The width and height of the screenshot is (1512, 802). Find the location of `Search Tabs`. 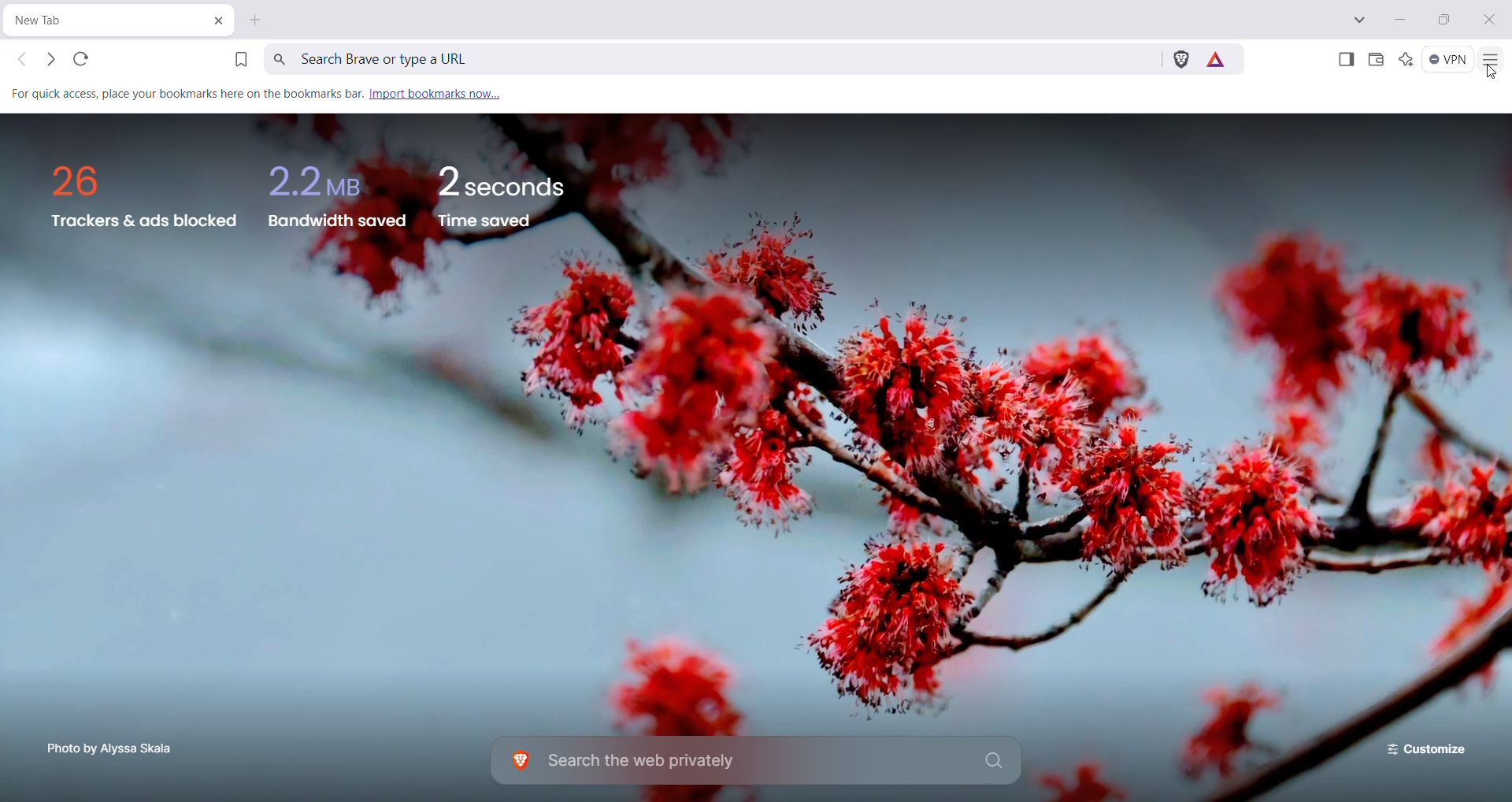

Search Tabs is located at coordinates (1361, 20).